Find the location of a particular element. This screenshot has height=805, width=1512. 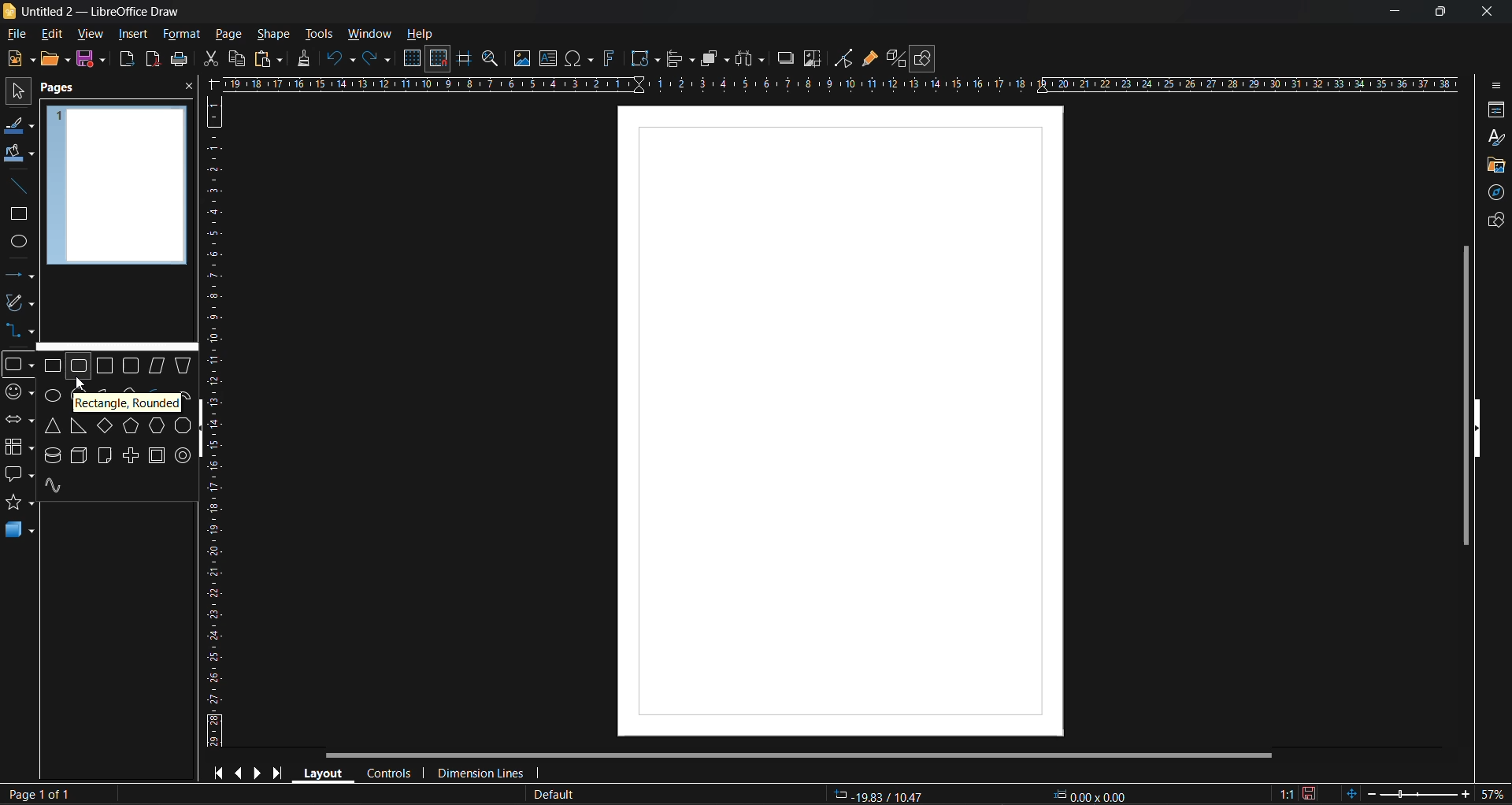

first is located at coordinates (217, 772).